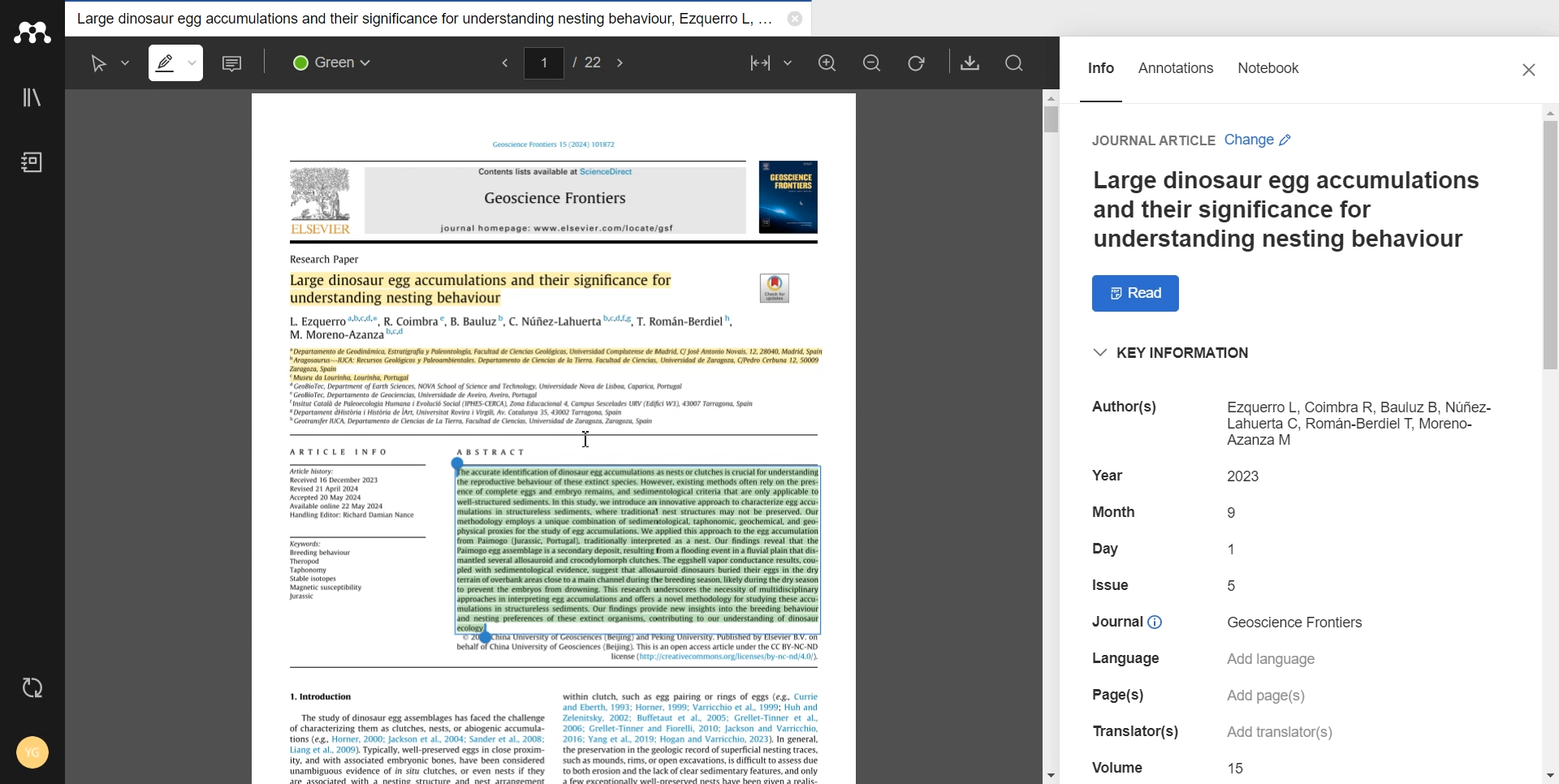  What do you see at coordinates (1239, 769) in the screenshot?
I see `text` at bounding box center [1239, 769].